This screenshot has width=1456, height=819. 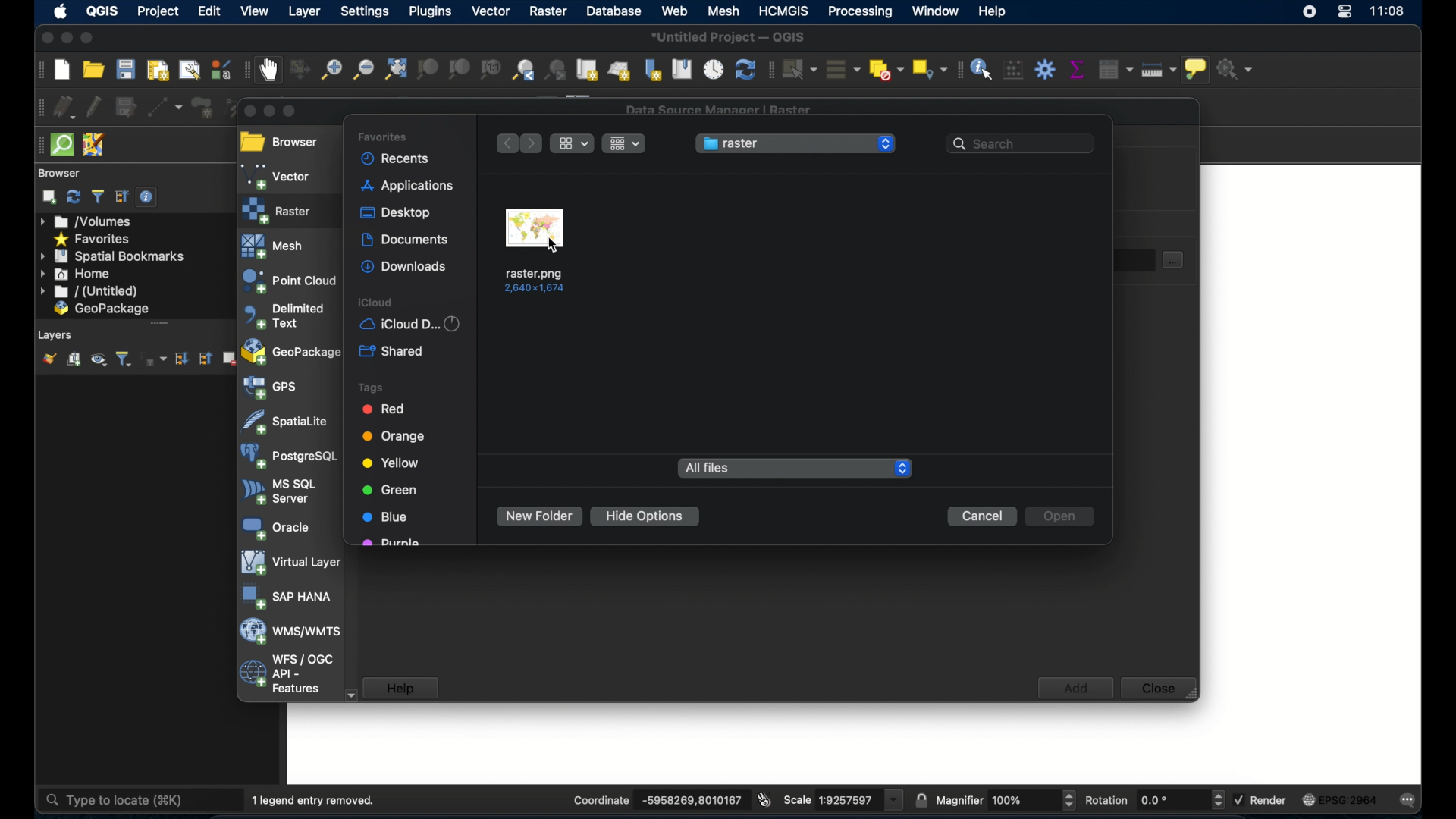 What do you see at coordinates (745, 71) in the screenshot?
I see `refresh` at bounding box center [745, 71].